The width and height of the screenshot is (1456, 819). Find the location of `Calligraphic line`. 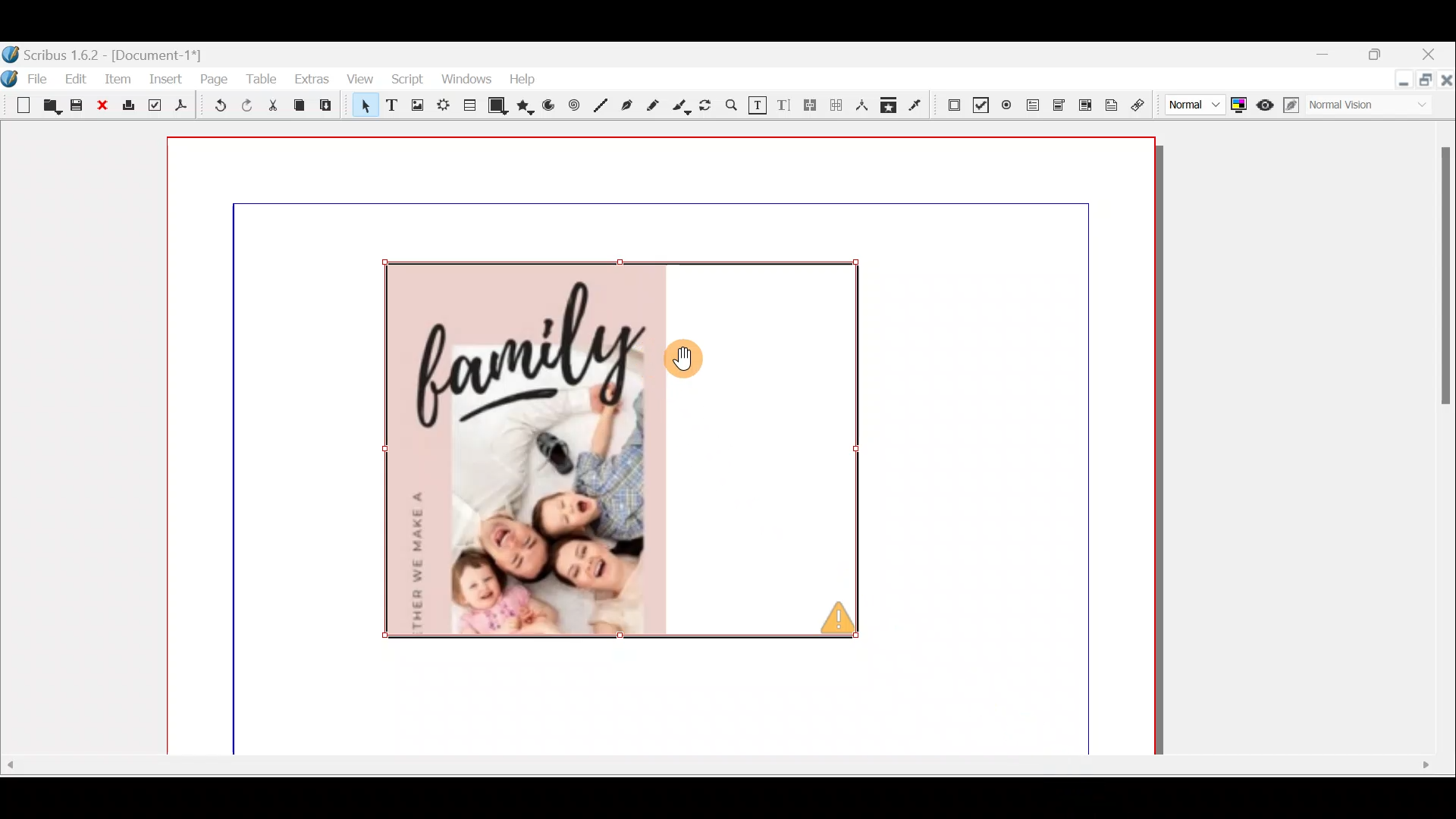

Calligraphic line is located at coordinates (682, 108).